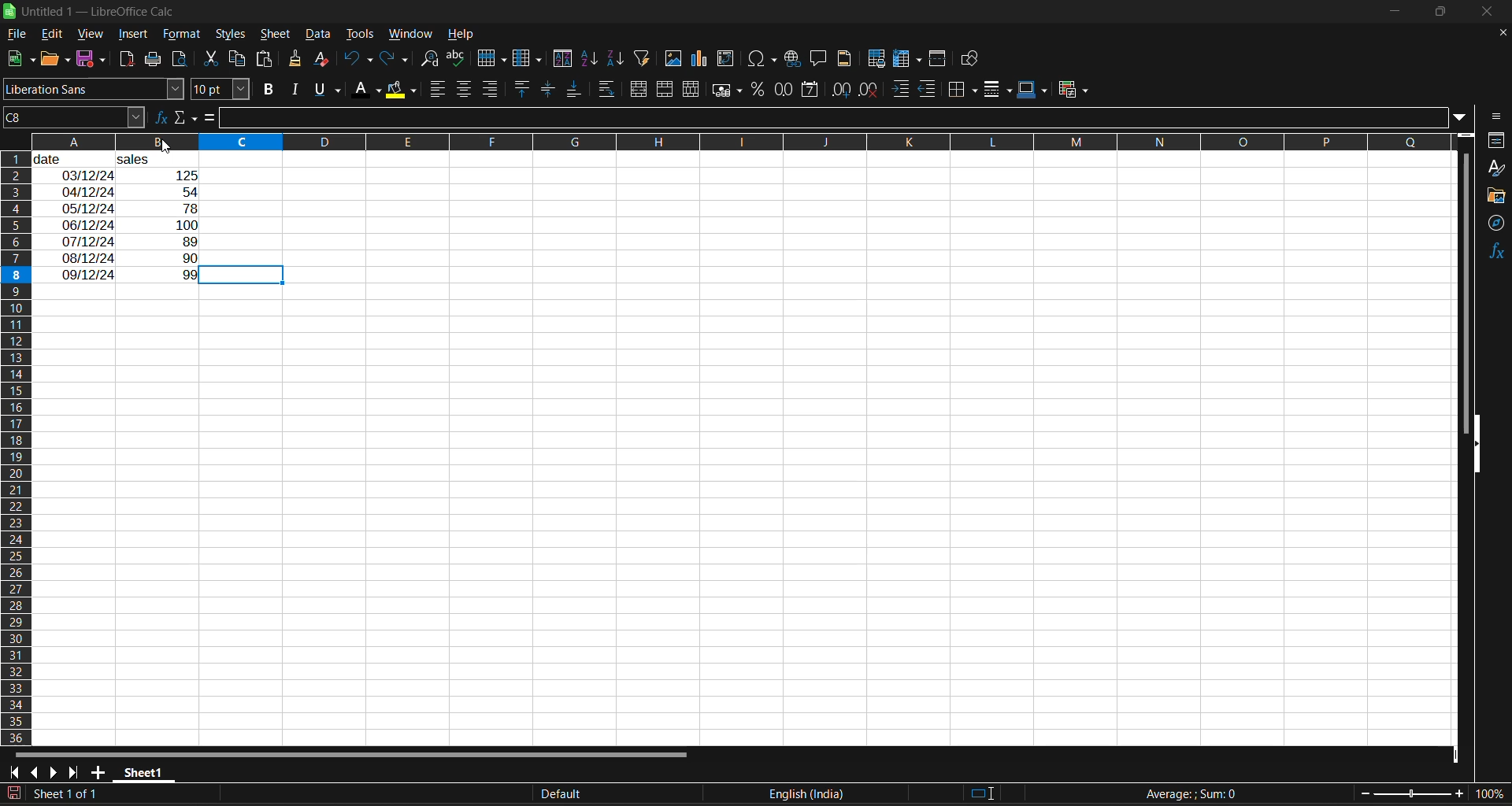 This screenshot has width=1512, height=806. What do you see at coordinates (548, 90) in the screenshot?
I see `center vertically` at bounding box center [548, 90].